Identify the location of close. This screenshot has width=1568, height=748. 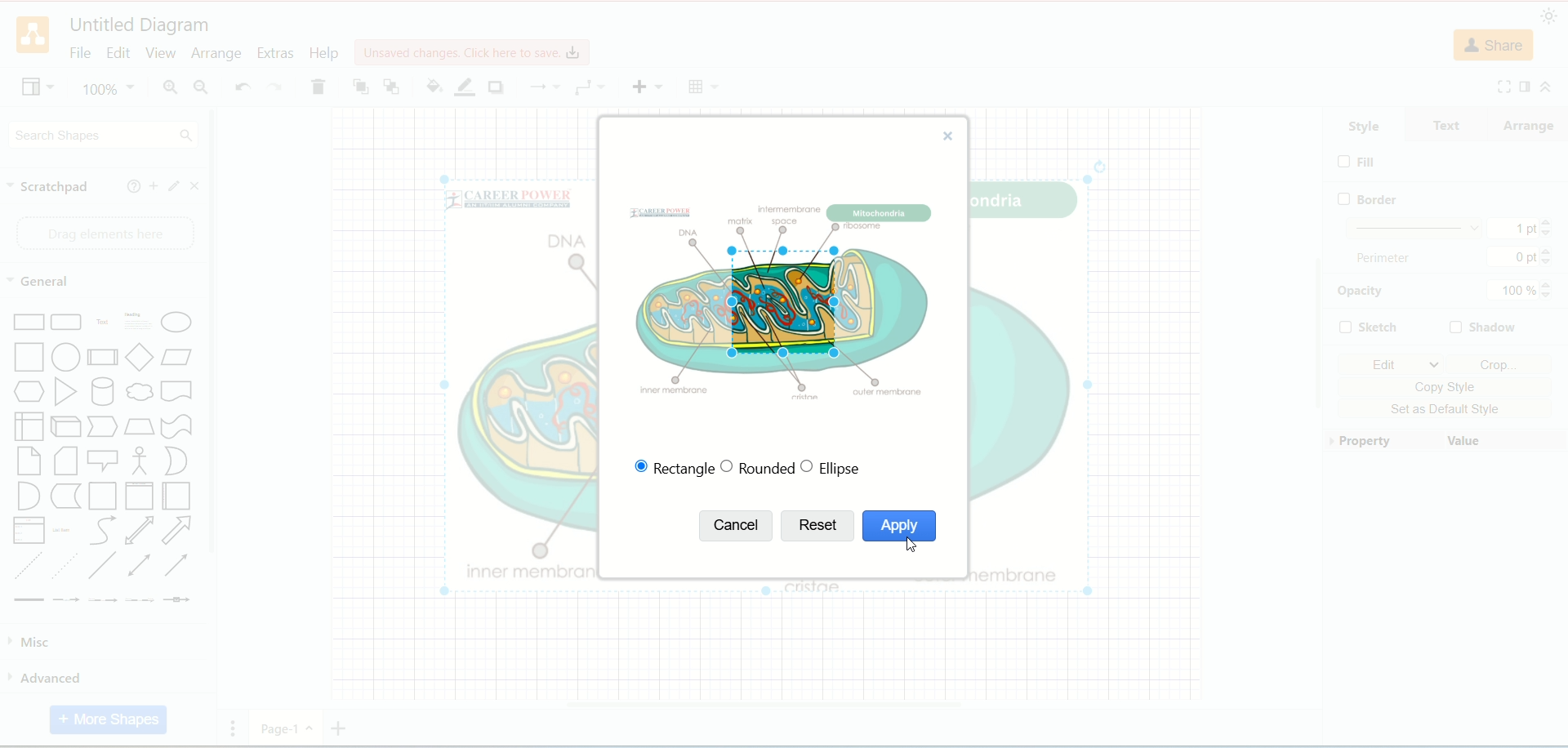
(953, 136).